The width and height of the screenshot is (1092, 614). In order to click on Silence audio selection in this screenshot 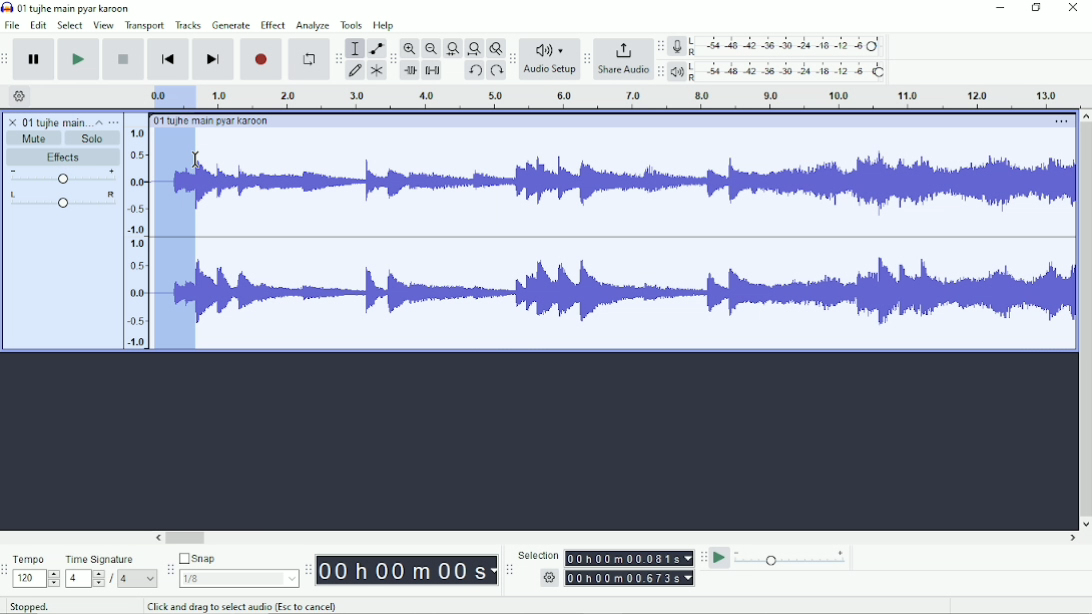, I will do `click(432, 70)`.